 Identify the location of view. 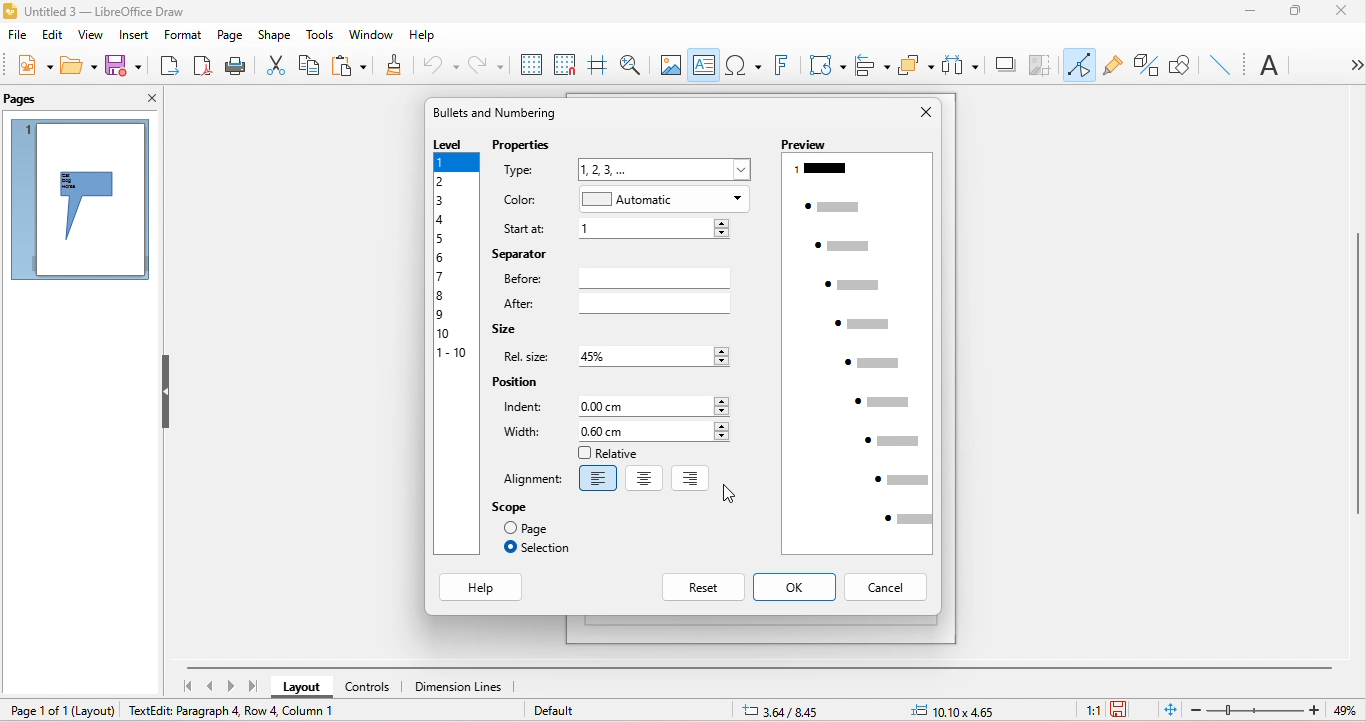
(90, 37).